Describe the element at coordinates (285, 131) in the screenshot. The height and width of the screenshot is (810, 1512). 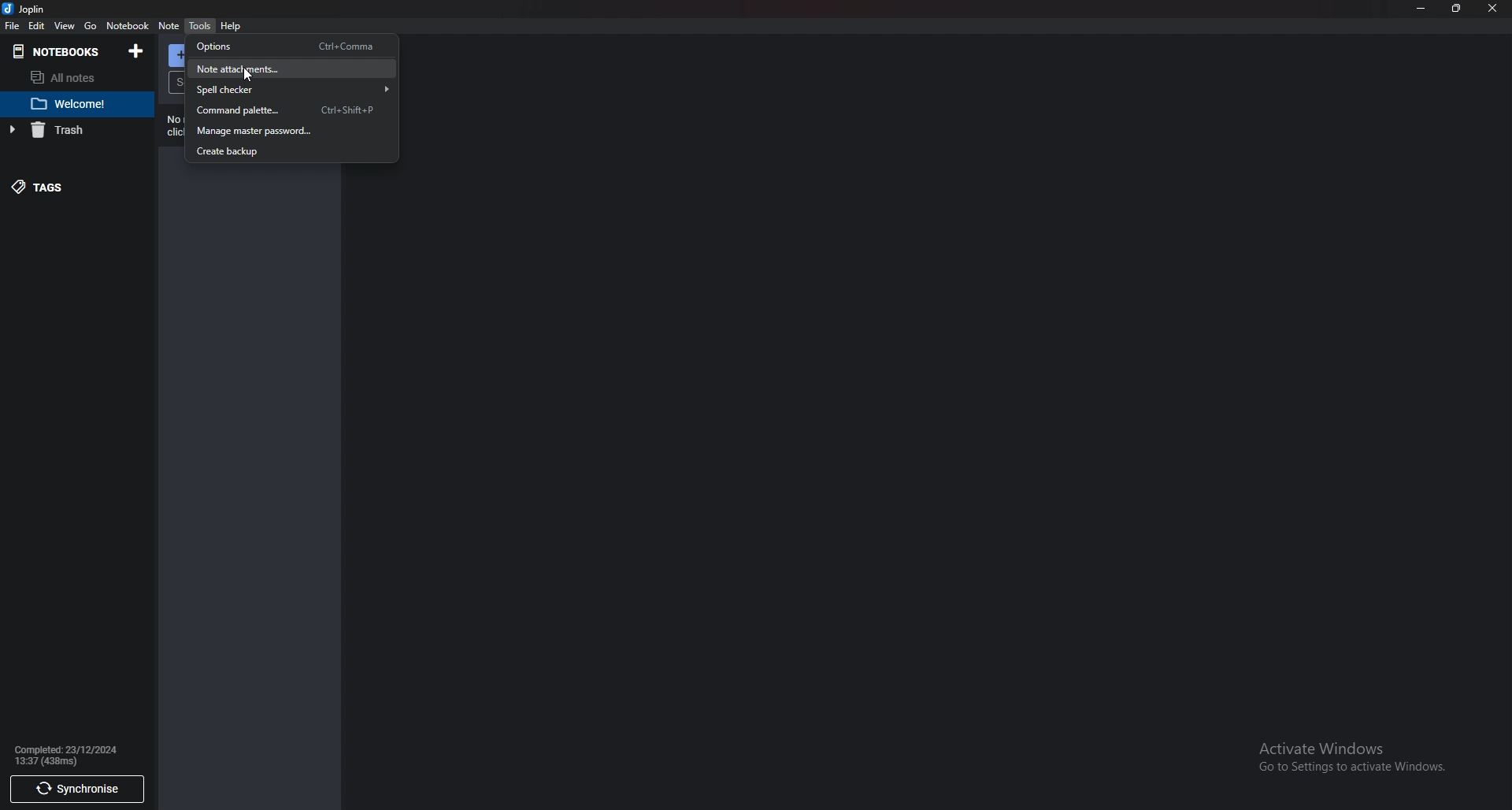
I see `manage master password` at that location.